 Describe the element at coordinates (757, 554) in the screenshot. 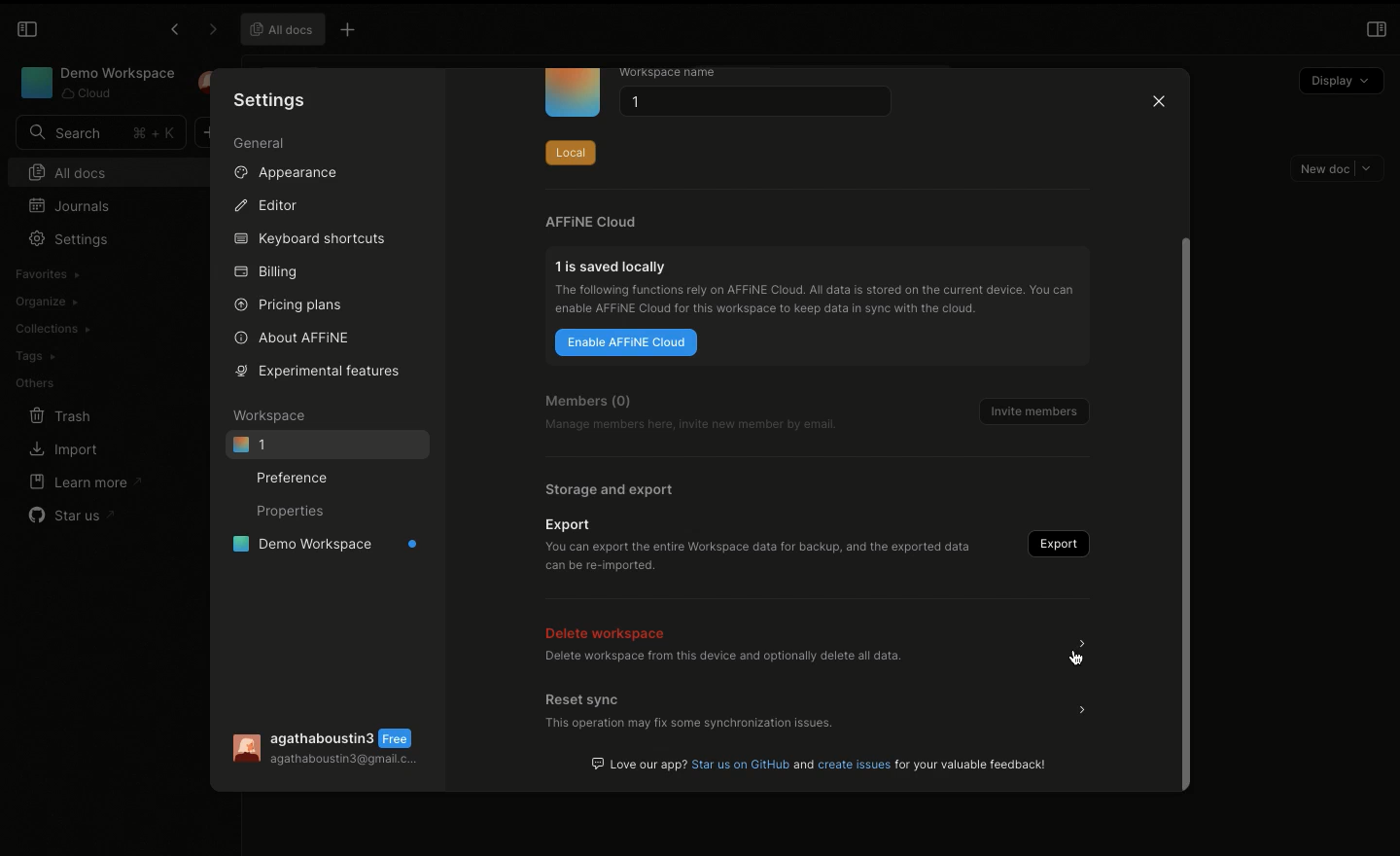

I see `You can export the entire Workspace data for backup, and the exported datacan be re-imported.` at that location.